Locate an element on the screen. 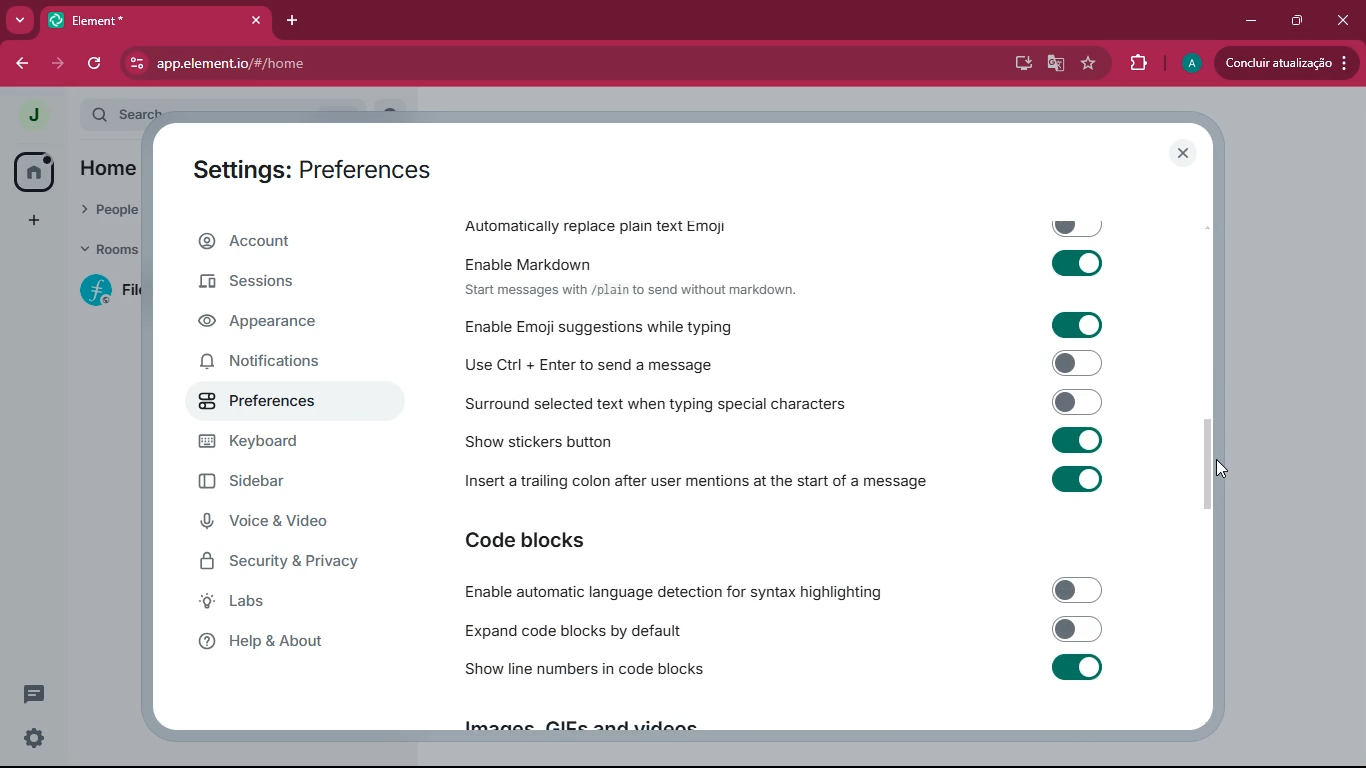  refresh is located at coordinates (94, 65).